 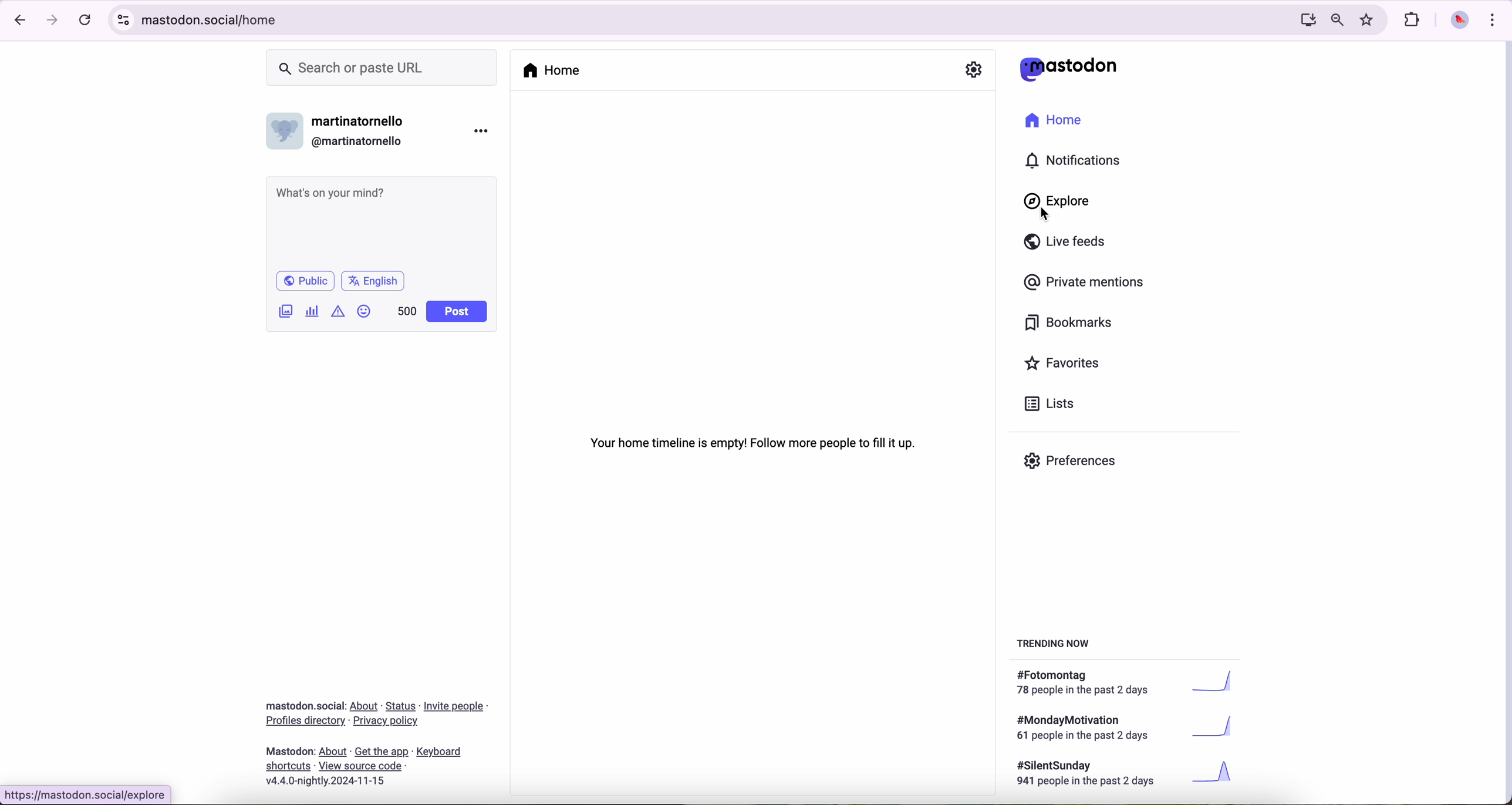 What do you see at coordinates (1123, 727) in the screenshot?
I see `#mondaymotivation` at bounding box center [1123, 727].